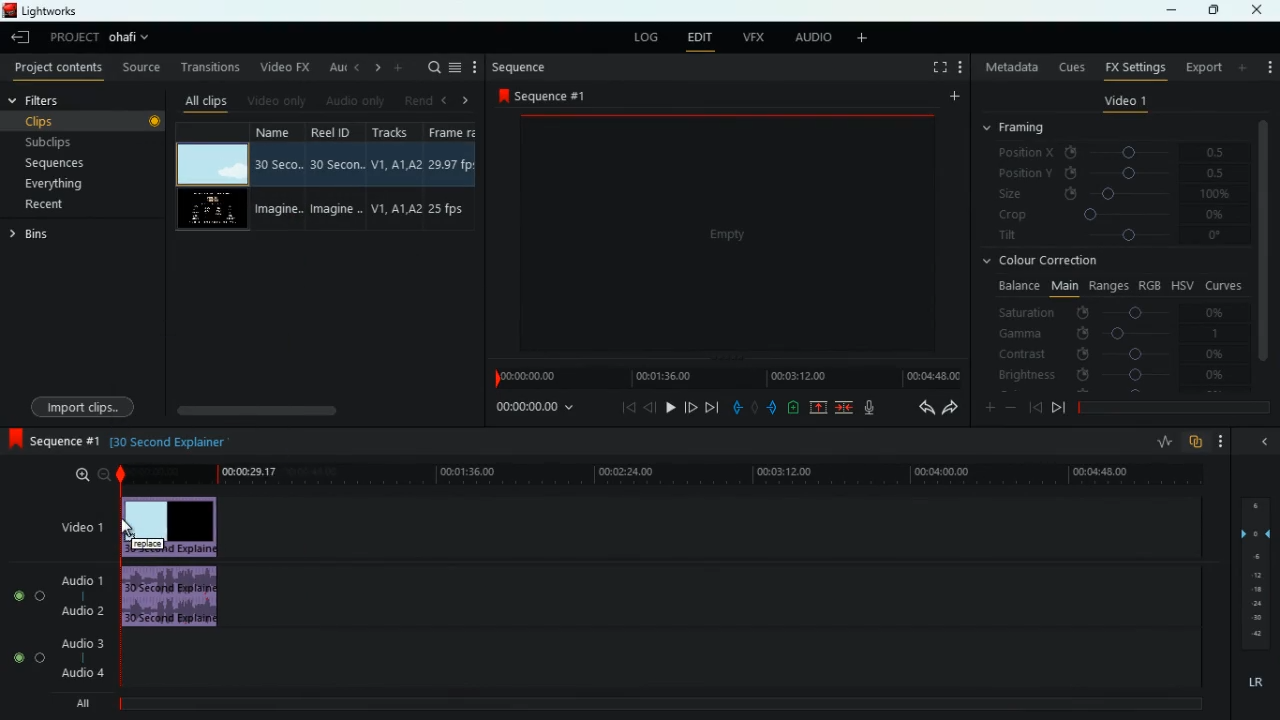  Describe the element at coordinates (1258, 634) in the screenshot. I see `-42 (layer)` at that location.